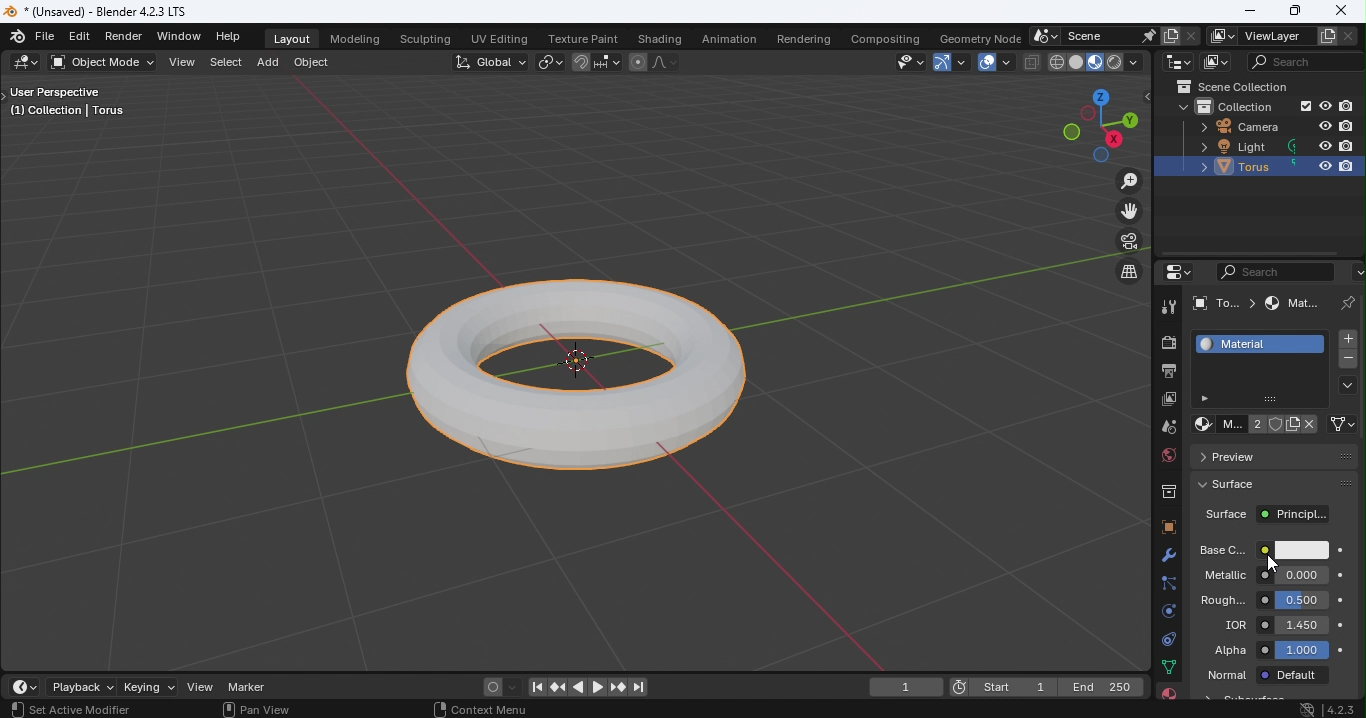 This screenshot has width=1366, height=718. I want to click on Proportional editing fallout, so click(664, 60).